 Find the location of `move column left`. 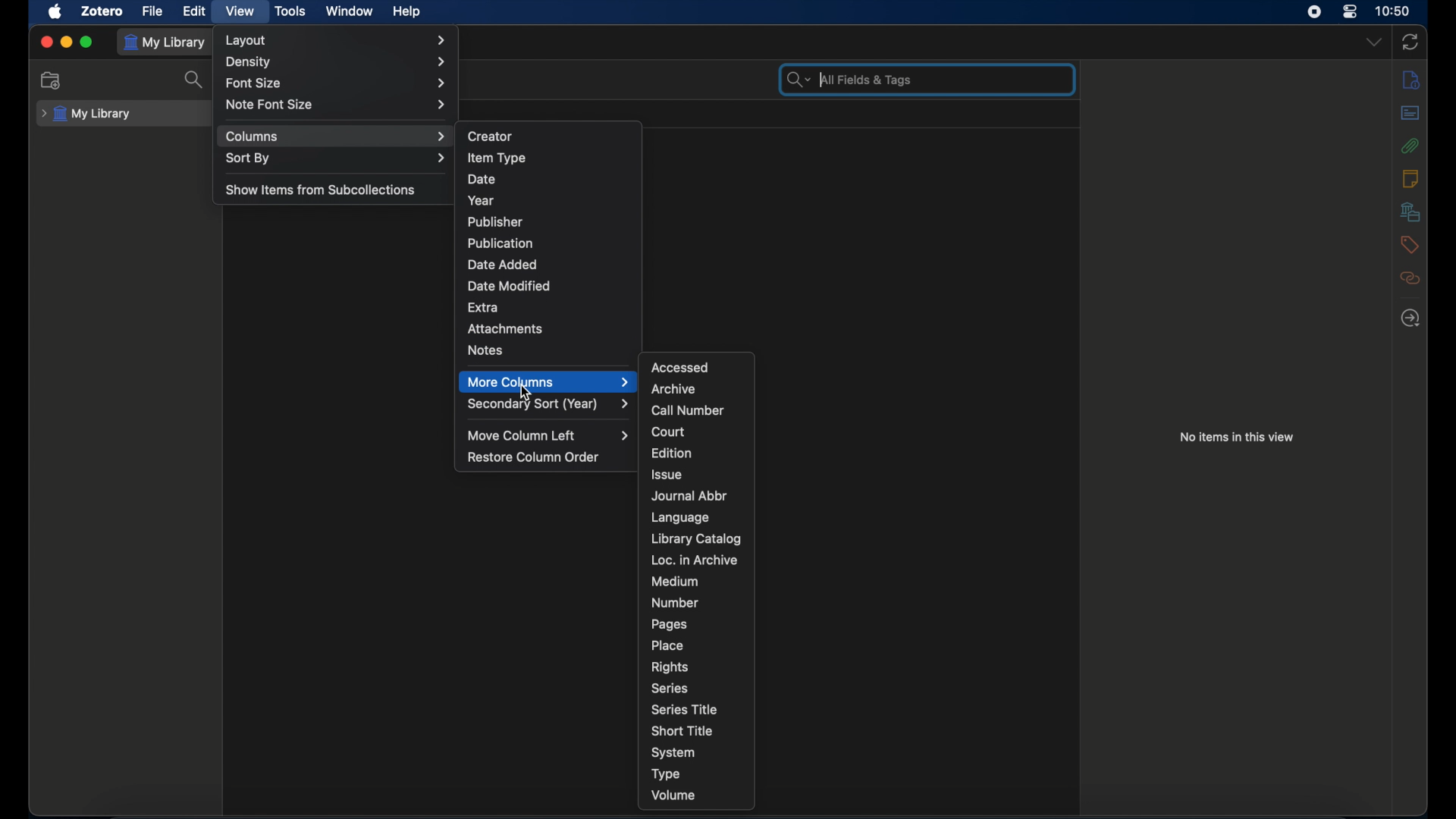

move column left is located at coordinates (548, 436).